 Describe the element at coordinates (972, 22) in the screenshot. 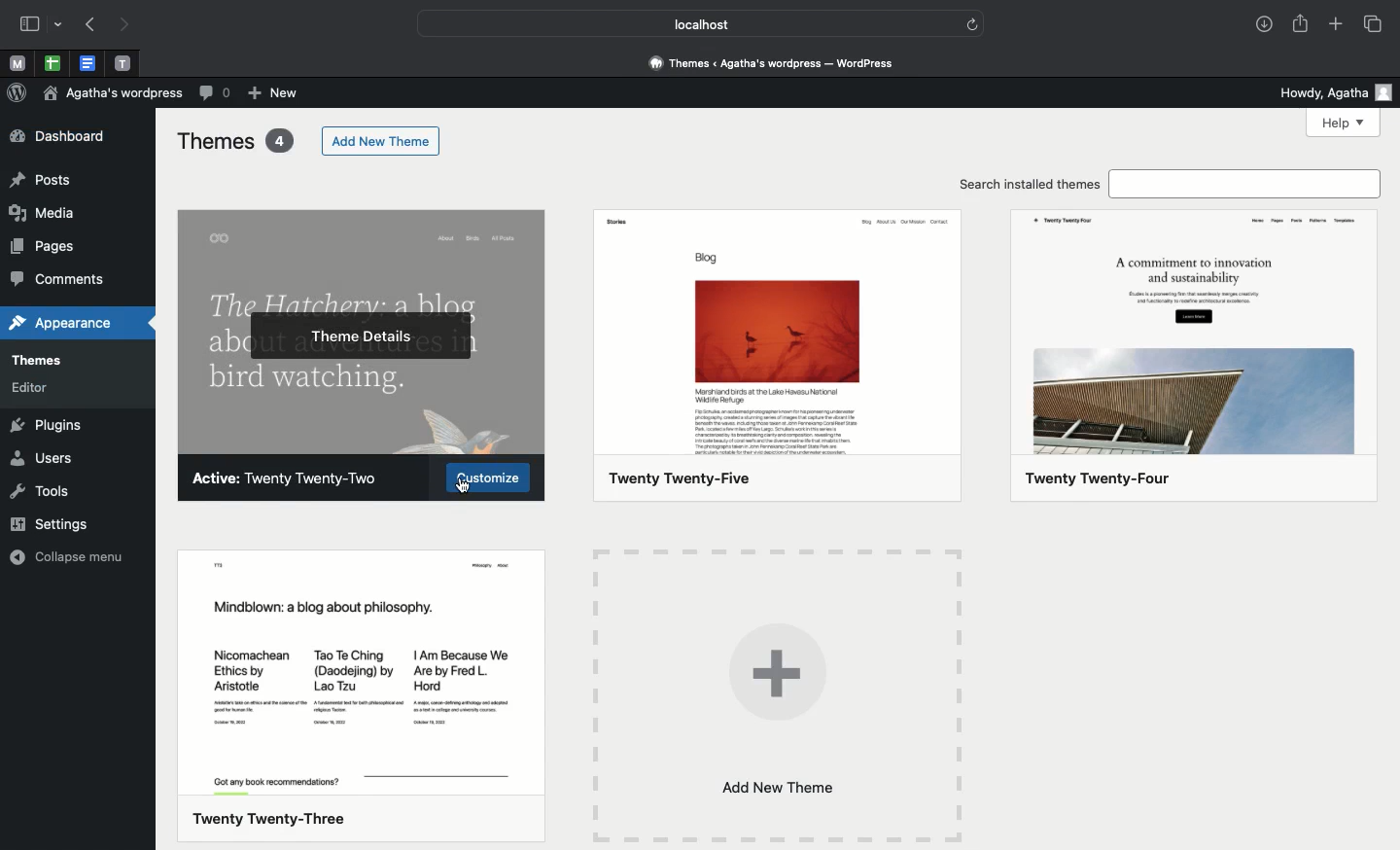

I see `refresh` at that location.